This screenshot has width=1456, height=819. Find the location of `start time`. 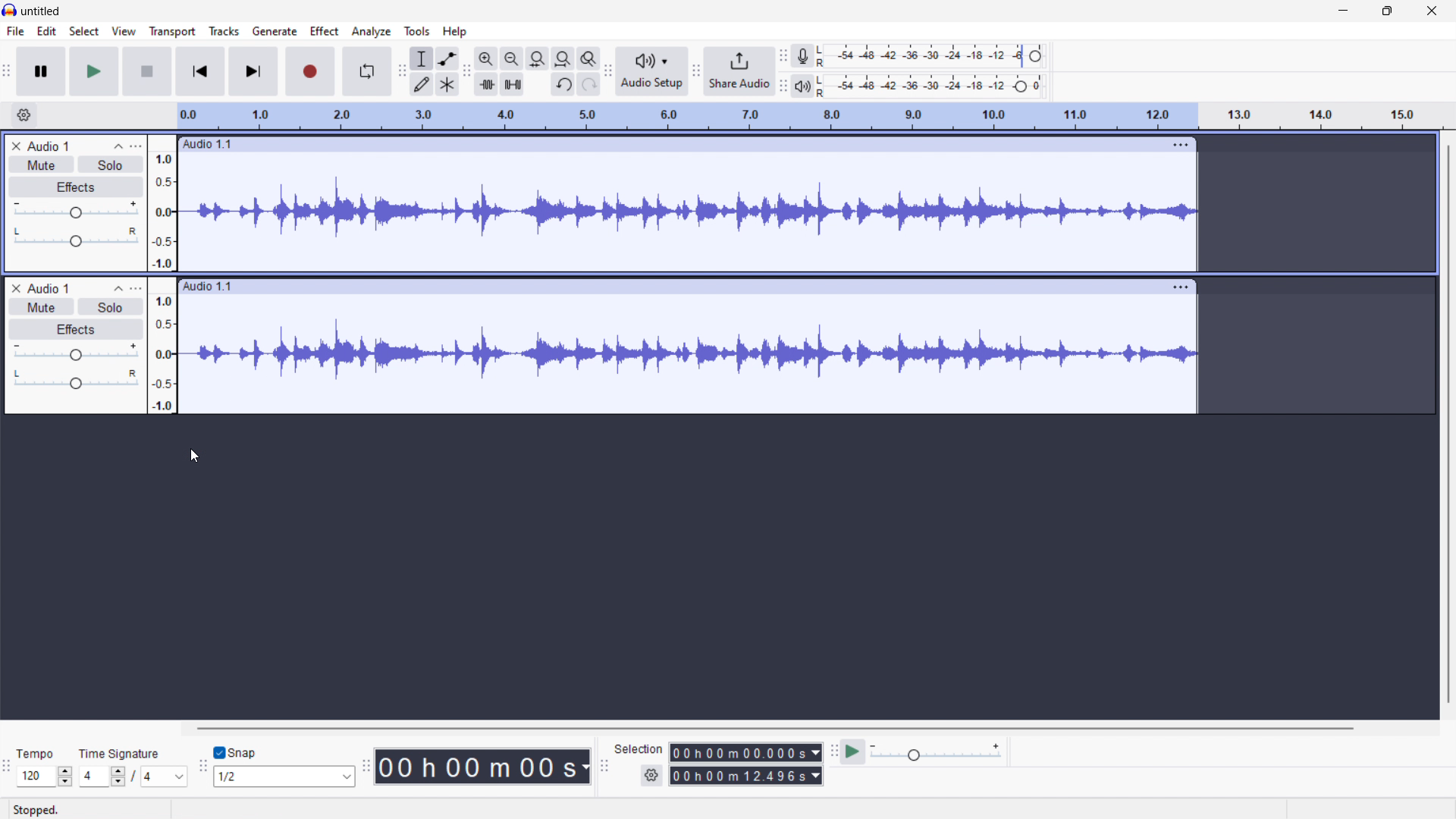

start time is located at coordinates (747, 752).